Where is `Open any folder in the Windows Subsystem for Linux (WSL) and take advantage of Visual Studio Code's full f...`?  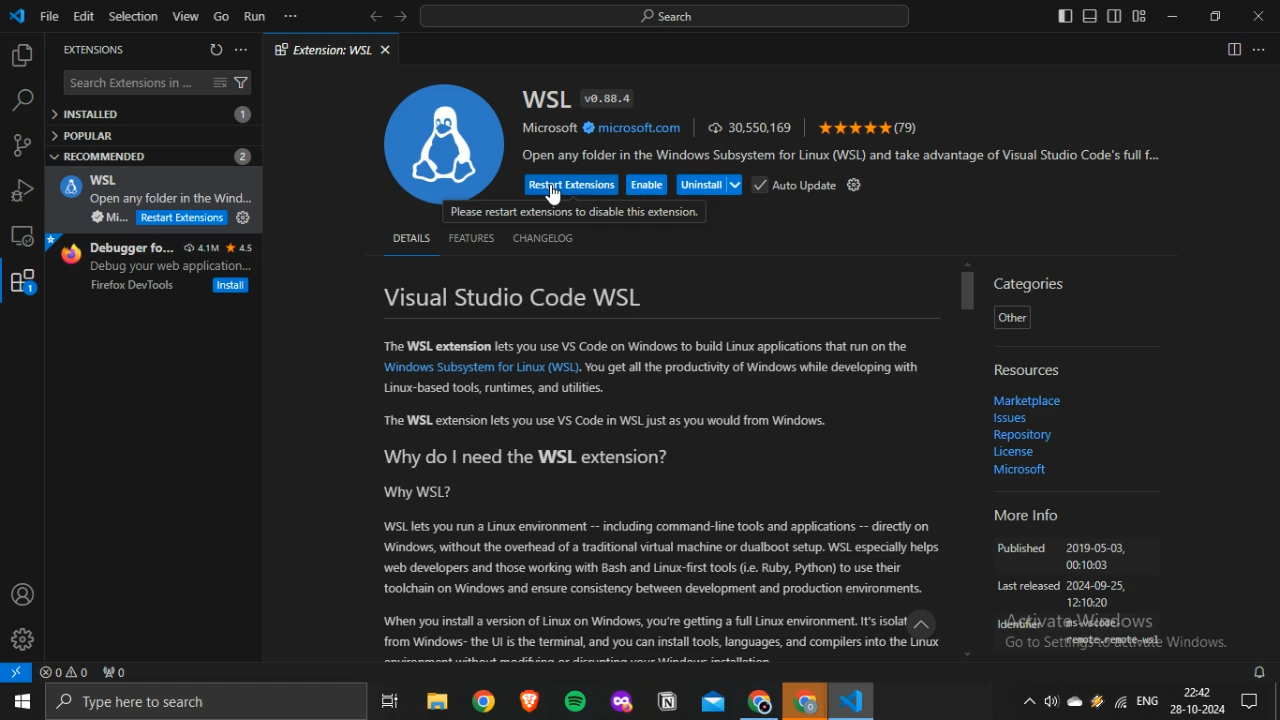
Open any folder in the Windows Subsystem for Linux (WSL) and take advantage of Visual Studio Code's full f... is located at coordinates (845, 156).